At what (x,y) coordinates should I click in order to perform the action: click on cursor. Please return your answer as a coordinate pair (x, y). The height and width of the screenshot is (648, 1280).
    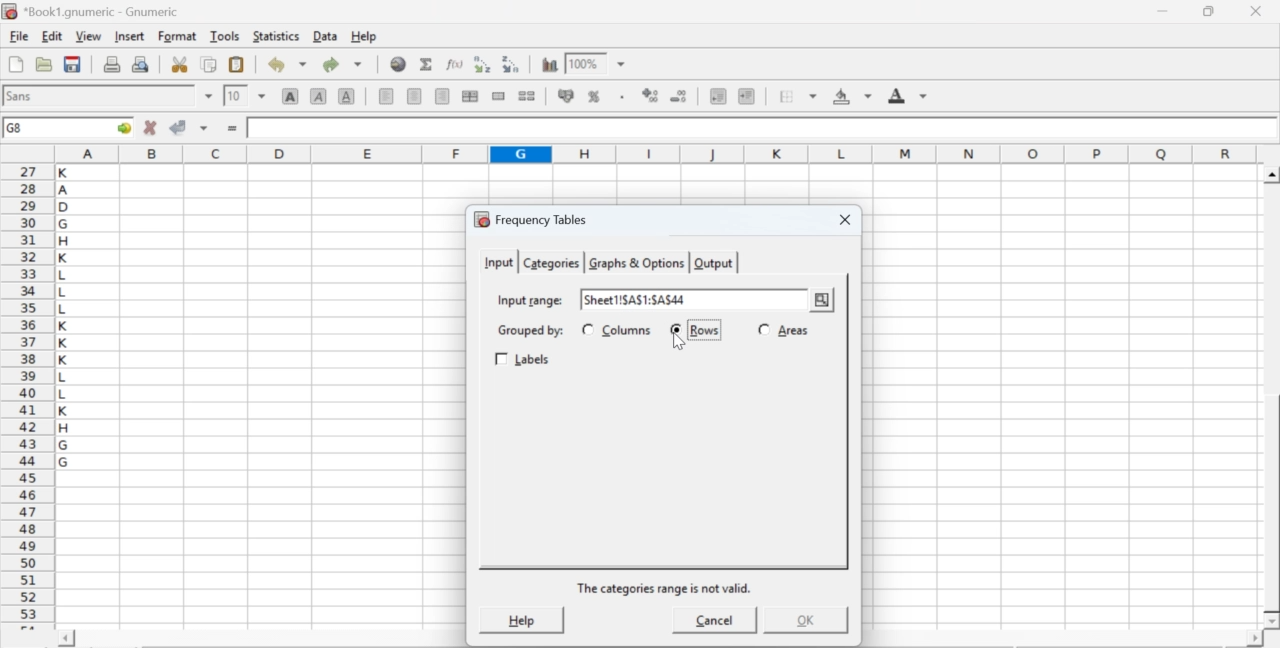
    Looking at the image, I should click on (824, 310).